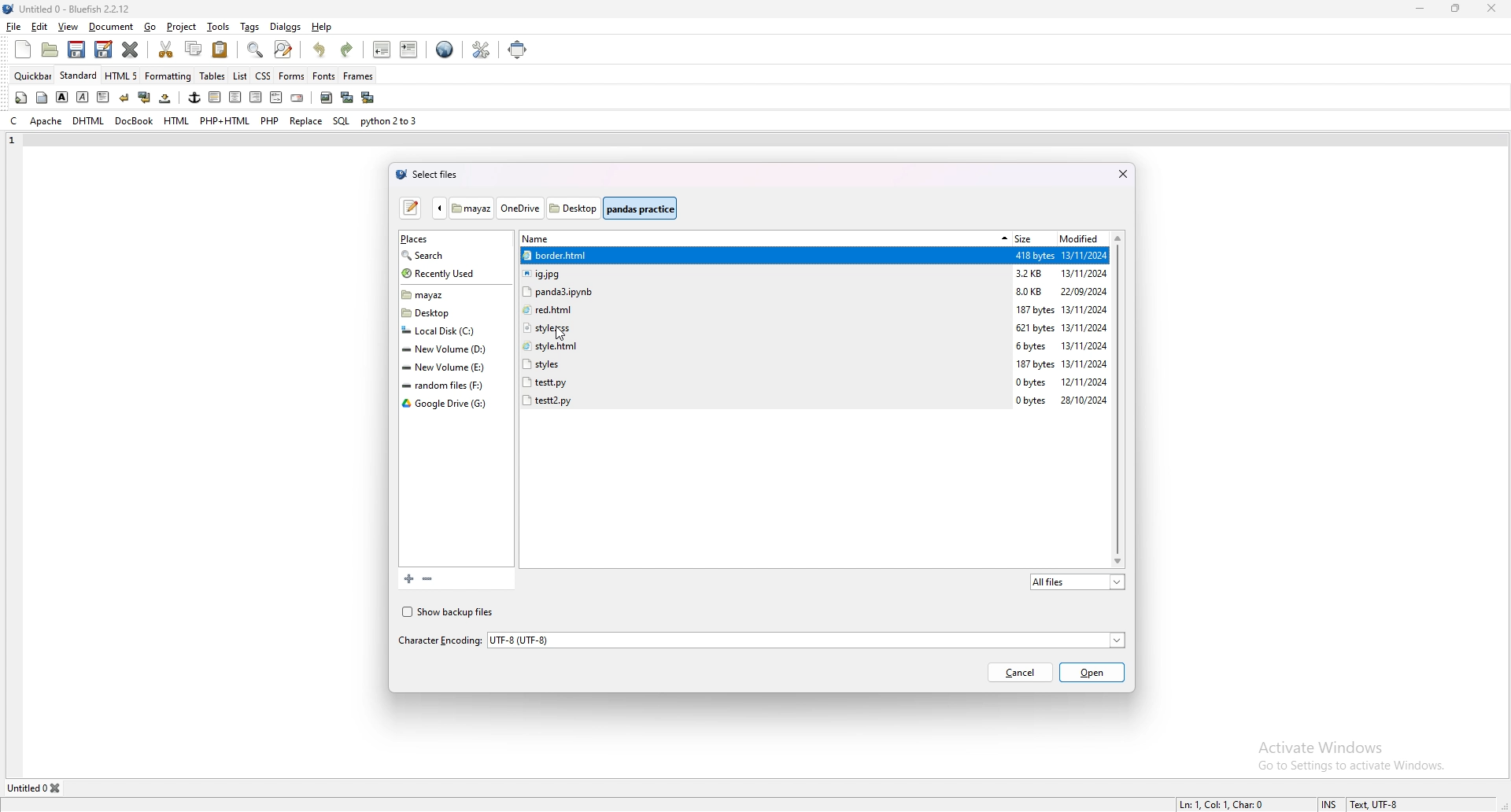  I want to click on folder, so click(453, 312).